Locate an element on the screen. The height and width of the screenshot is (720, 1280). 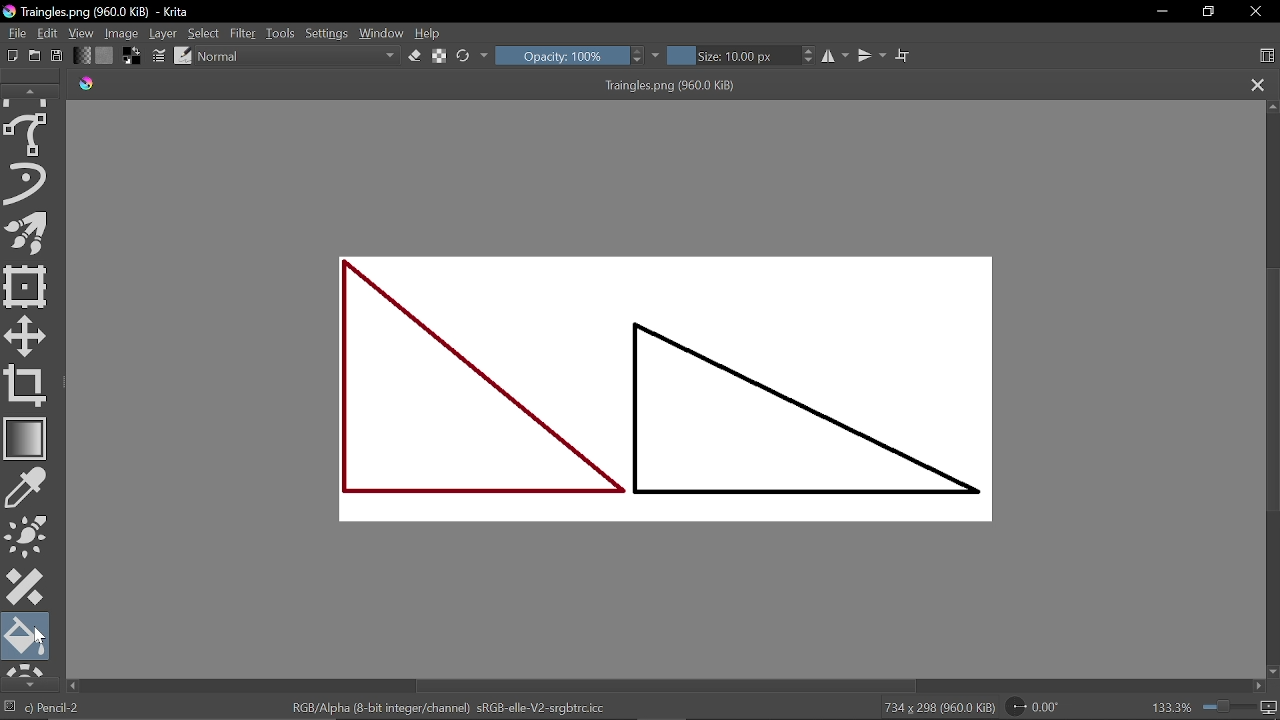
Pixel size is located at coordinates (1267, 708).